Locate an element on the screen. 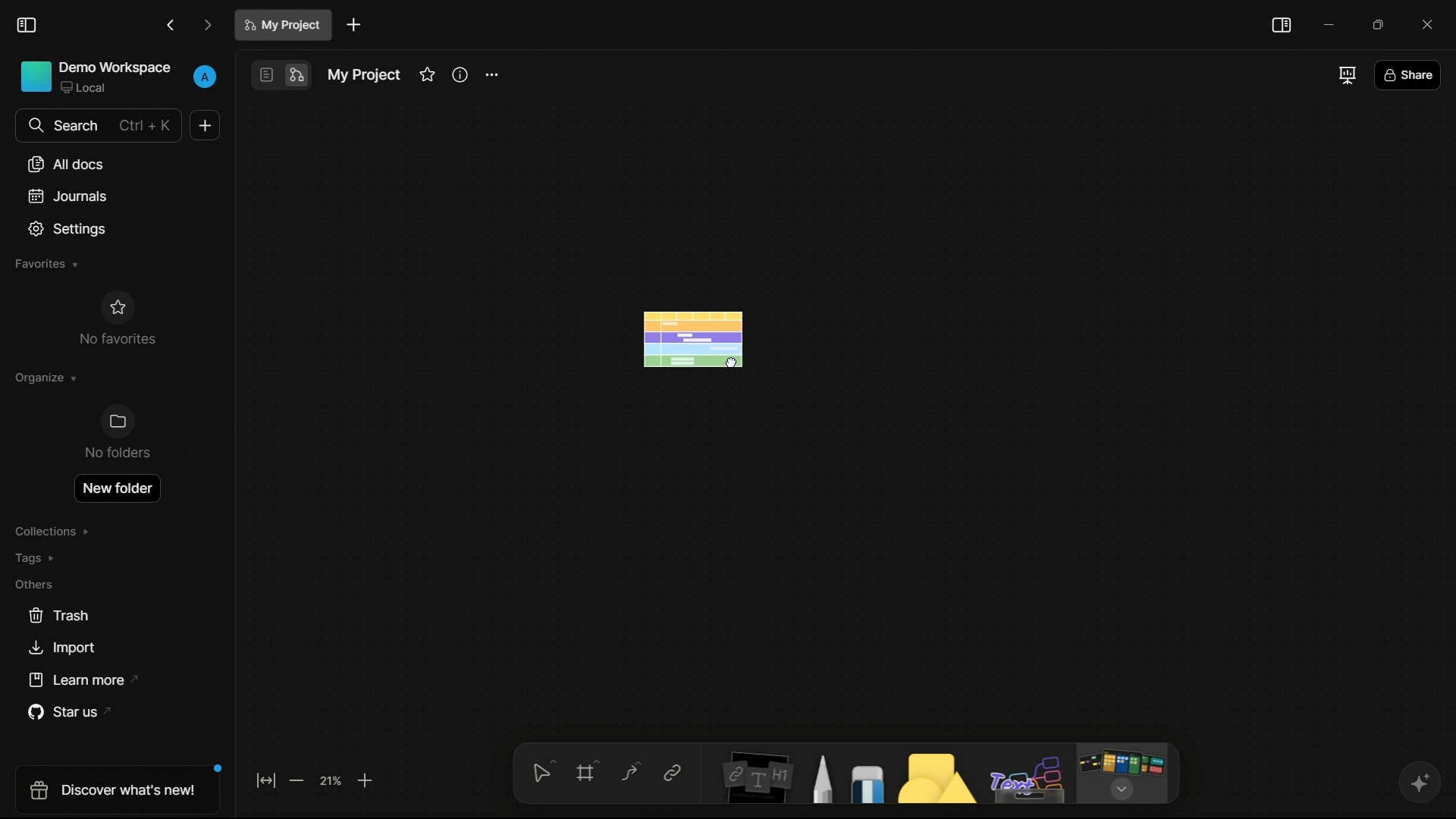 This screenshot has height=819, width=1456. edgeless mode is located at coordinates (298, 76).